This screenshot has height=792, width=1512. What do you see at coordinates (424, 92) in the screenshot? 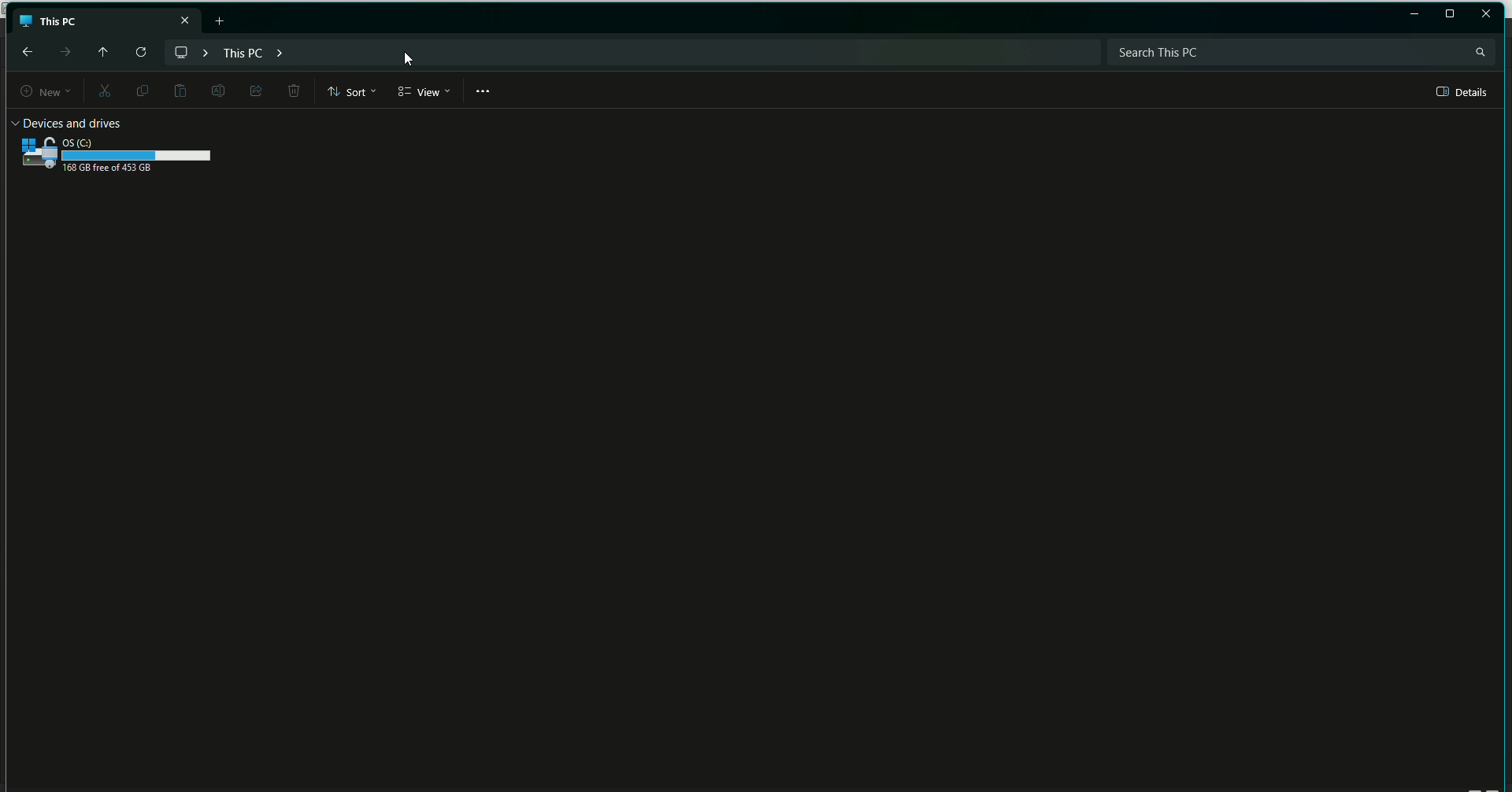
I see `View` at bounding box center [424, 92].